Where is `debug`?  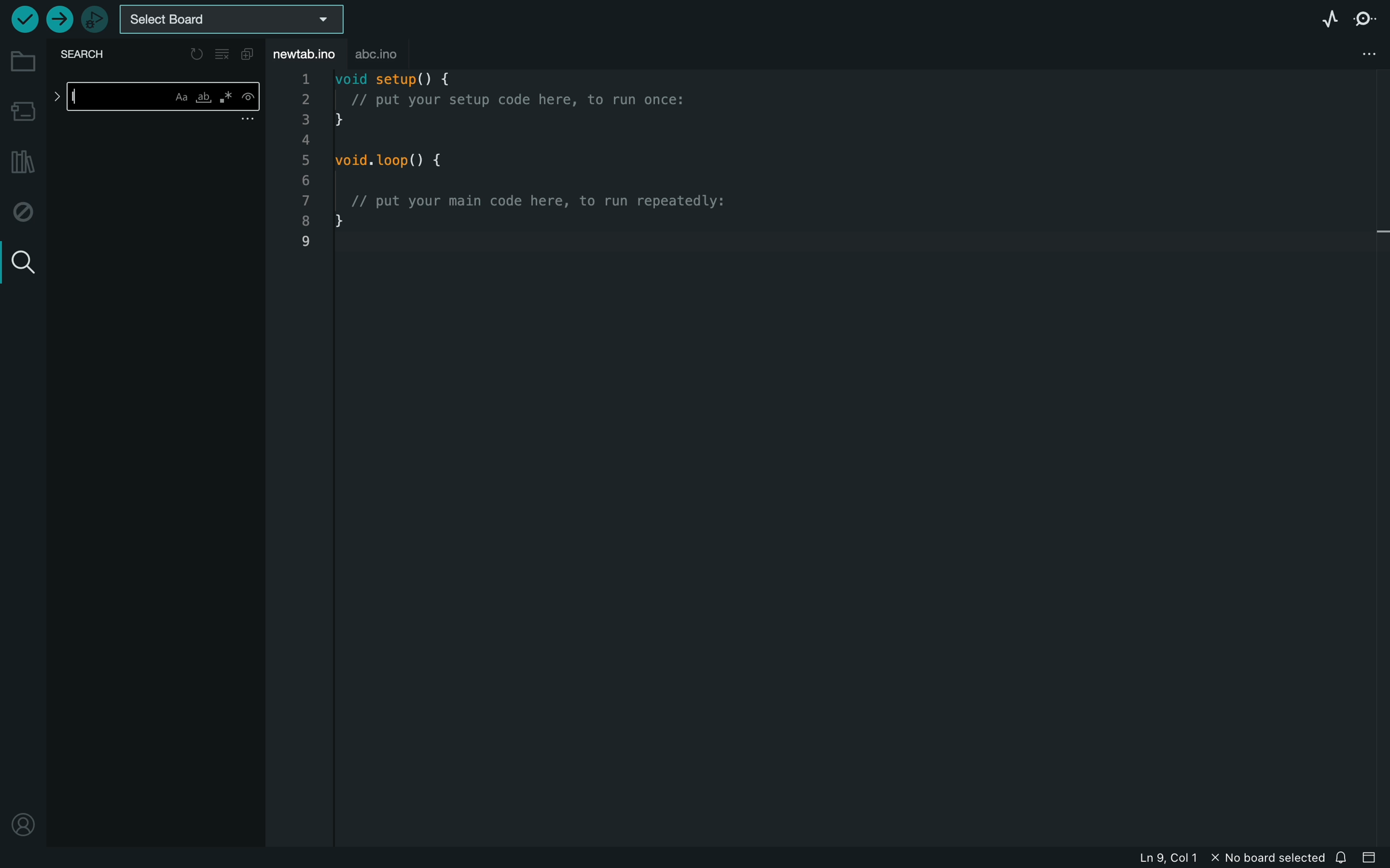
debug is located at coordinates (21, 212).